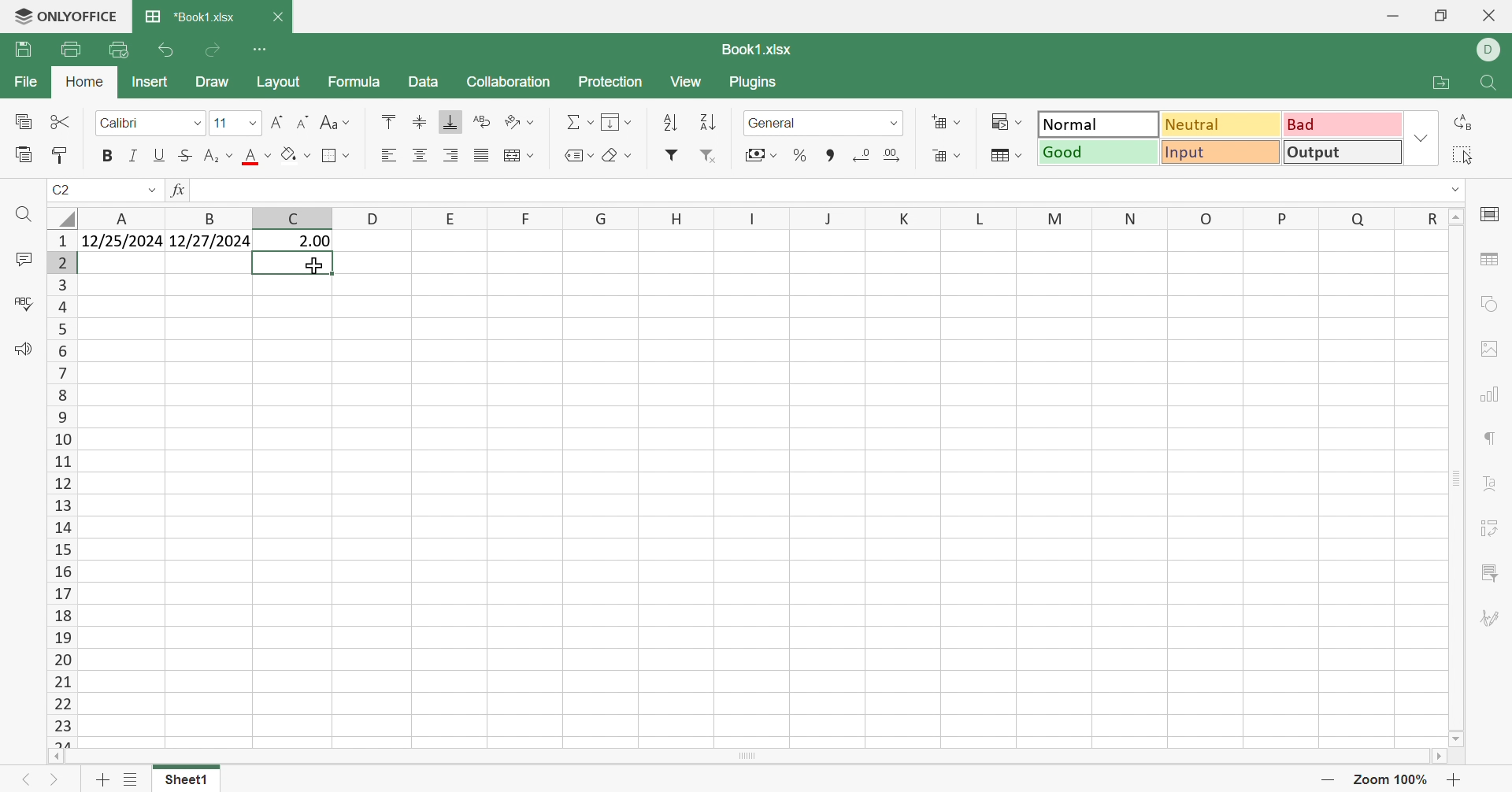 This screenshot has width=1512, height=792. Describe the element at coordinates (63, 155) in the screenshot. I see `Copy Style` at that location.